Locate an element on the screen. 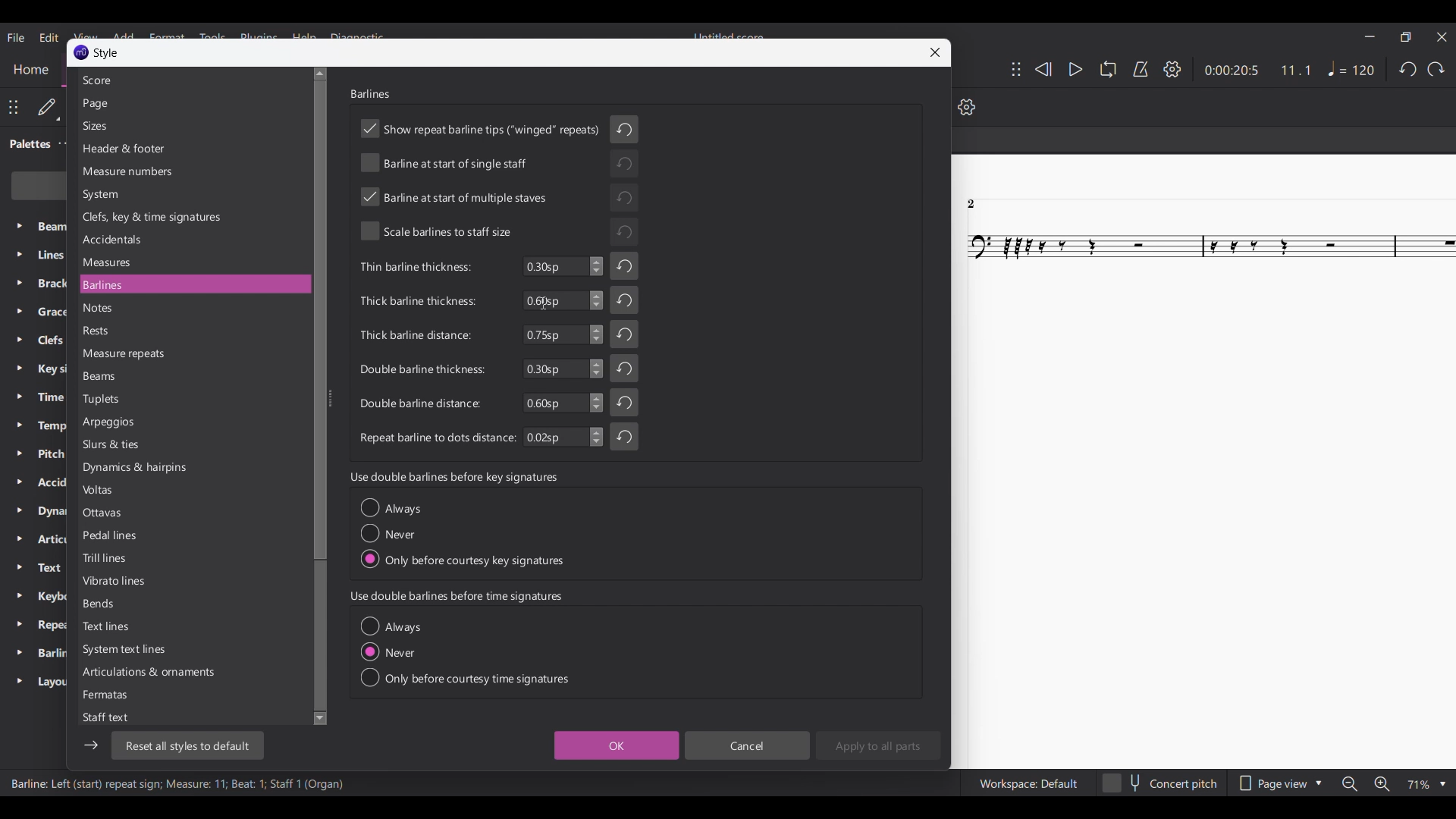 The image size is (1456, 819). Palette settings is located at coordinates (66, 143).